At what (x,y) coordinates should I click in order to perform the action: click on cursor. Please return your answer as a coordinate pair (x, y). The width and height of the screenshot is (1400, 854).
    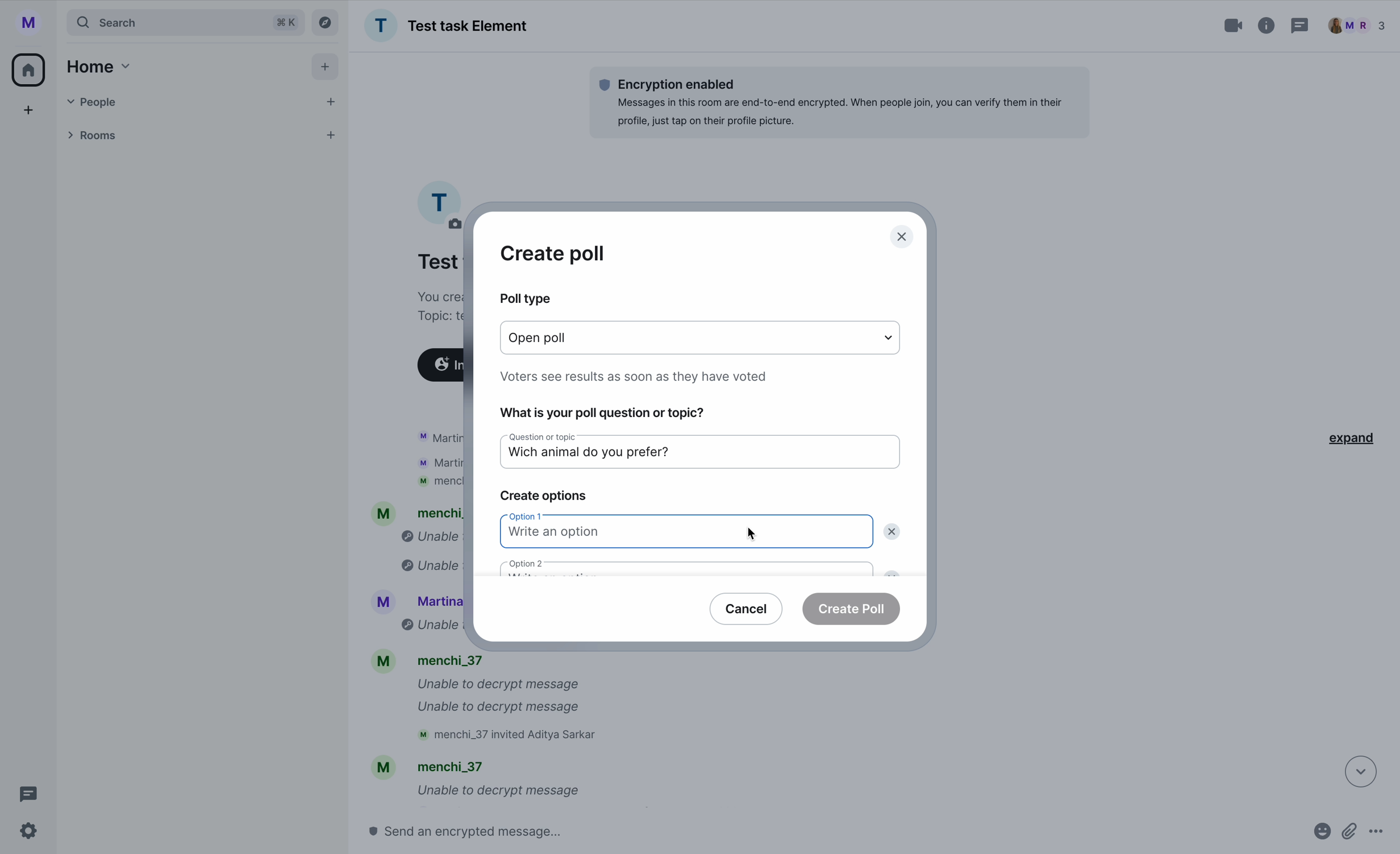
    Looking at the image, I should click on (757, 536).